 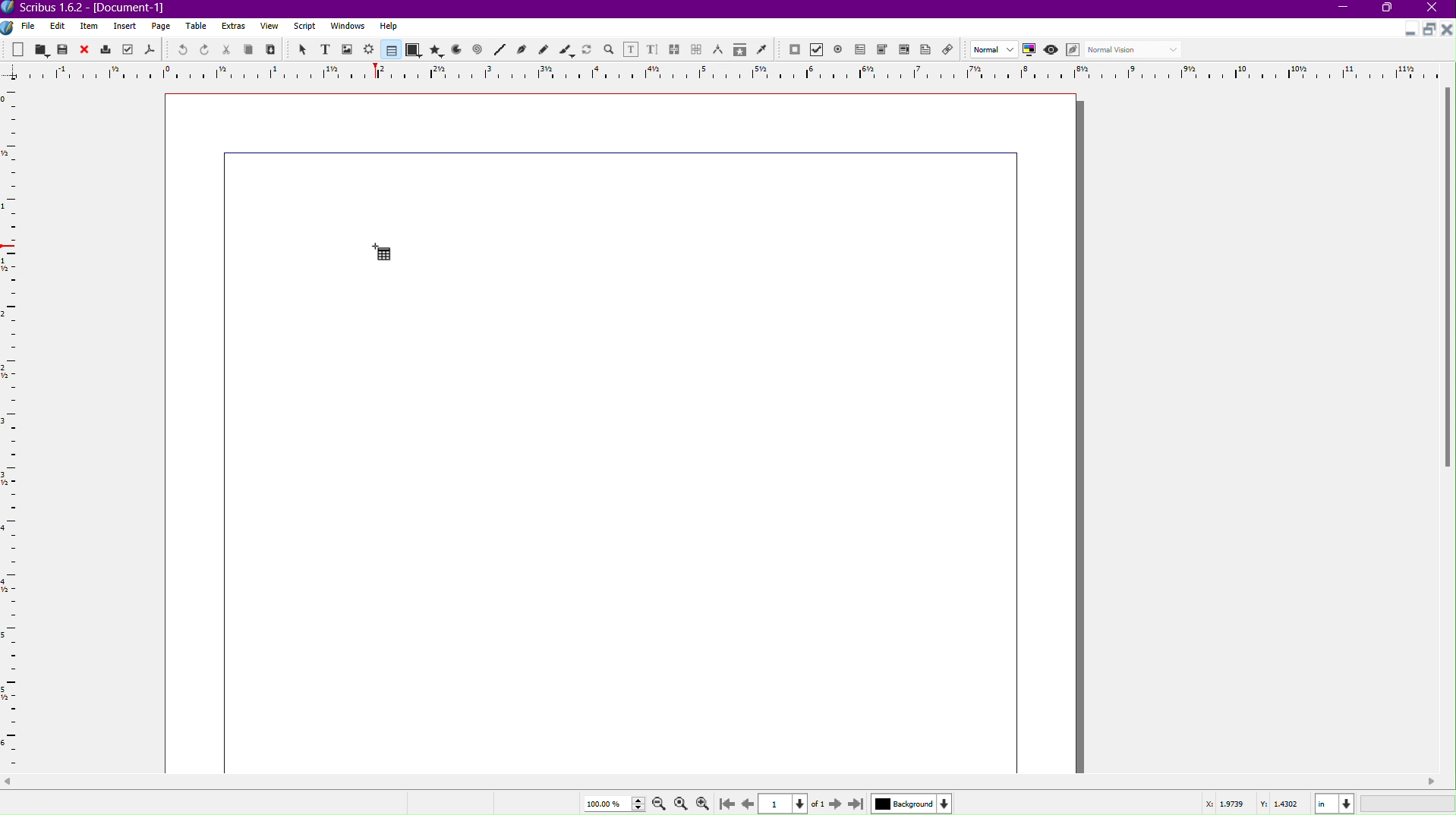 I want to click on Ruler Line, so click(x=17, y=428).